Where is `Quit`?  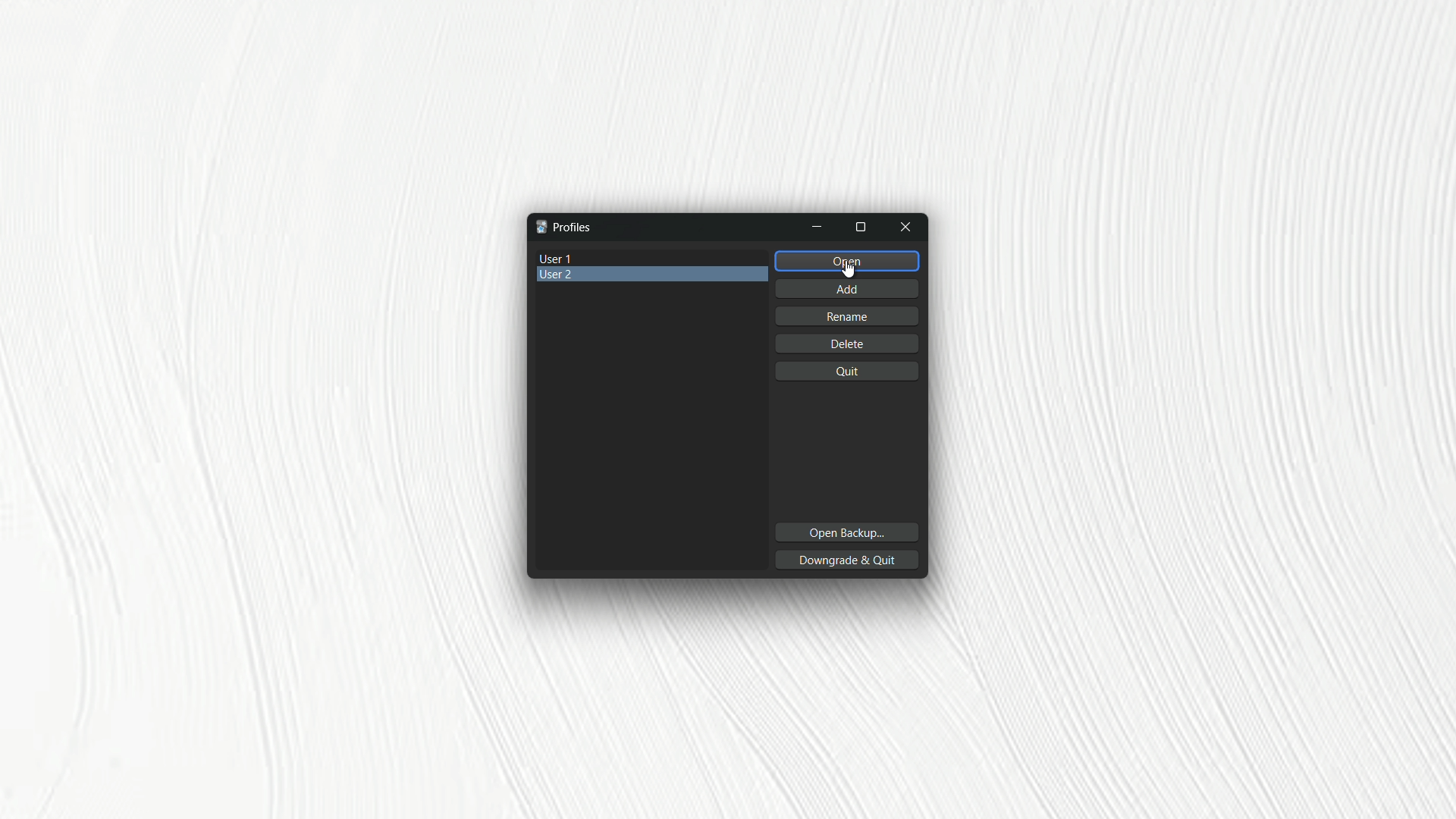 Quit is located at coordinates (847, 372).